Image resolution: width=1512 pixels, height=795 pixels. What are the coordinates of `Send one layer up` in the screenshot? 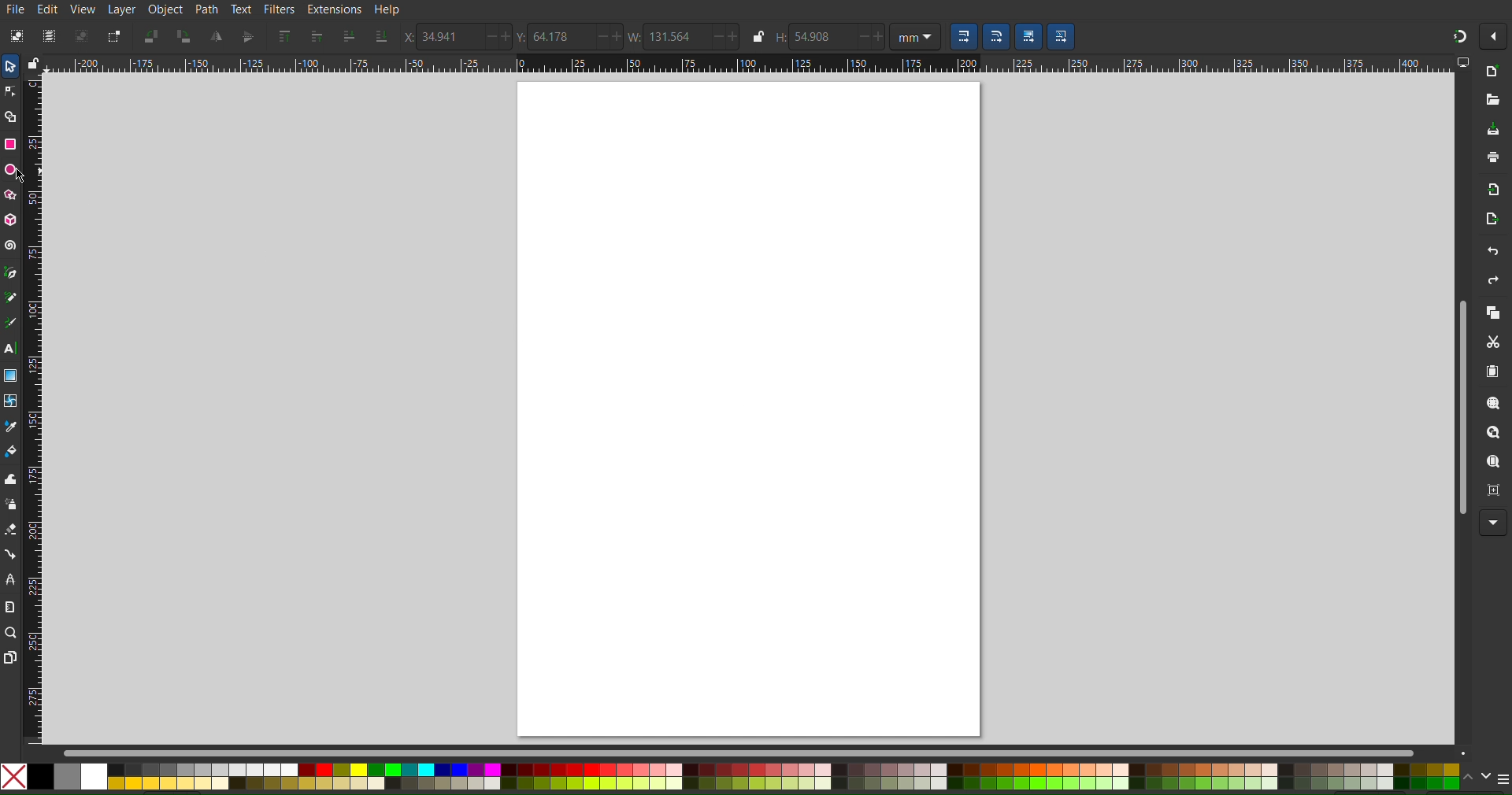 It's located at (319, 36).